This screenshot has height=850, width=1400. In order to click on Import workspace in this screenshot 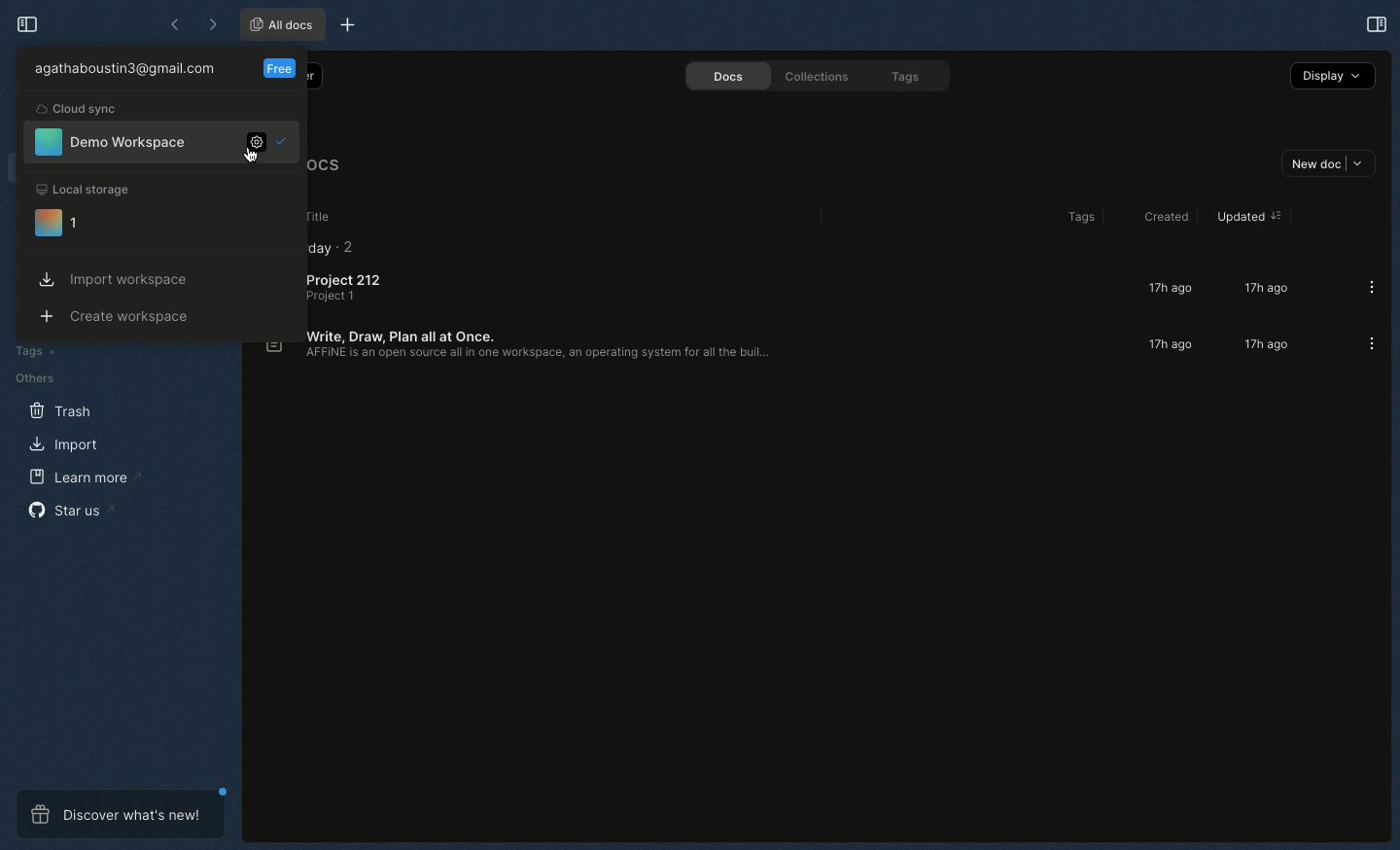, I will do `click(113, 279)`.